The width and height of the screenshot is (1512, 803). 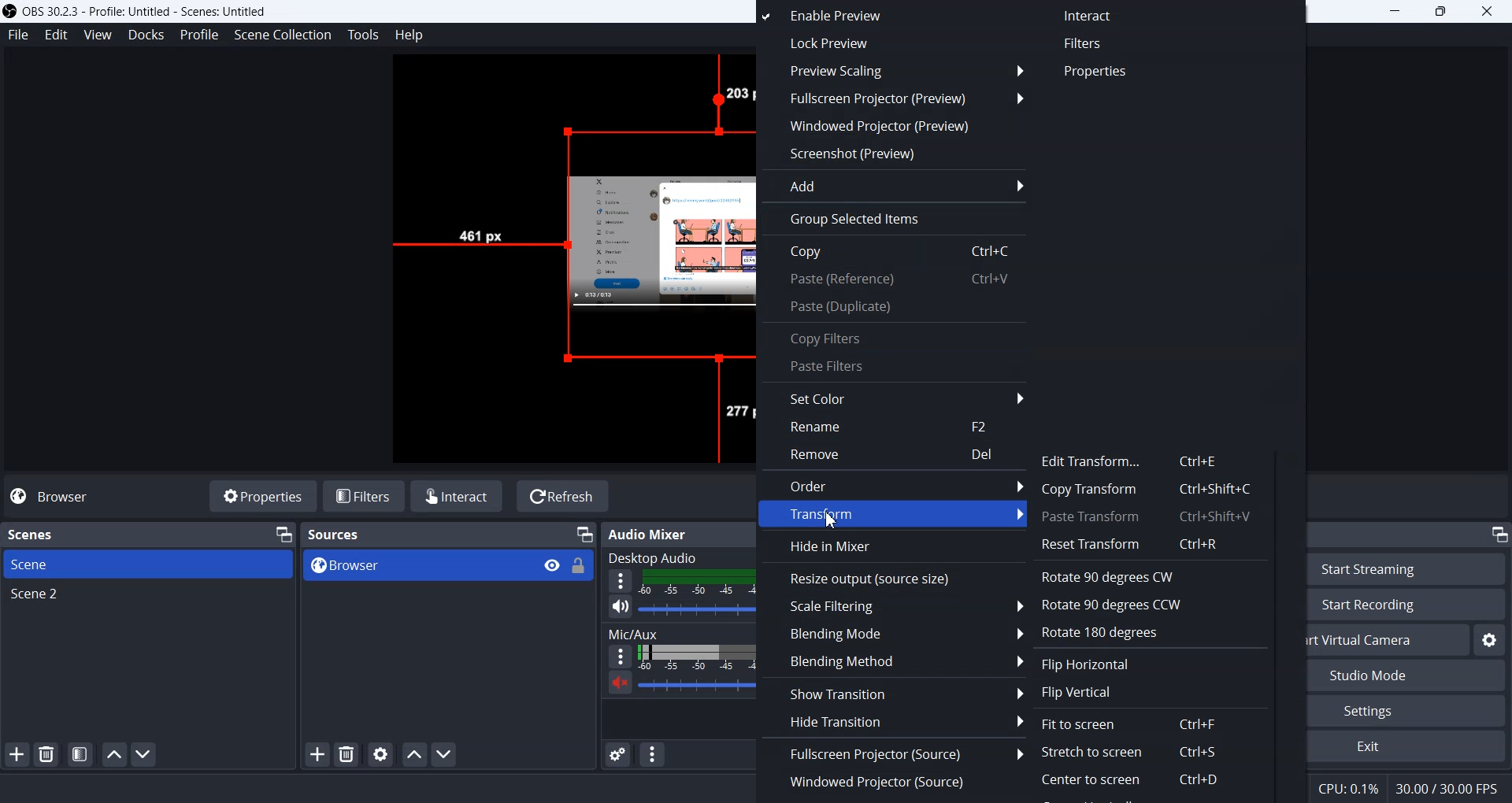 What do you see at coordinates (894, 606) in the screenshot?
I see `Scale Filtering` at bounding box center [894, 606].